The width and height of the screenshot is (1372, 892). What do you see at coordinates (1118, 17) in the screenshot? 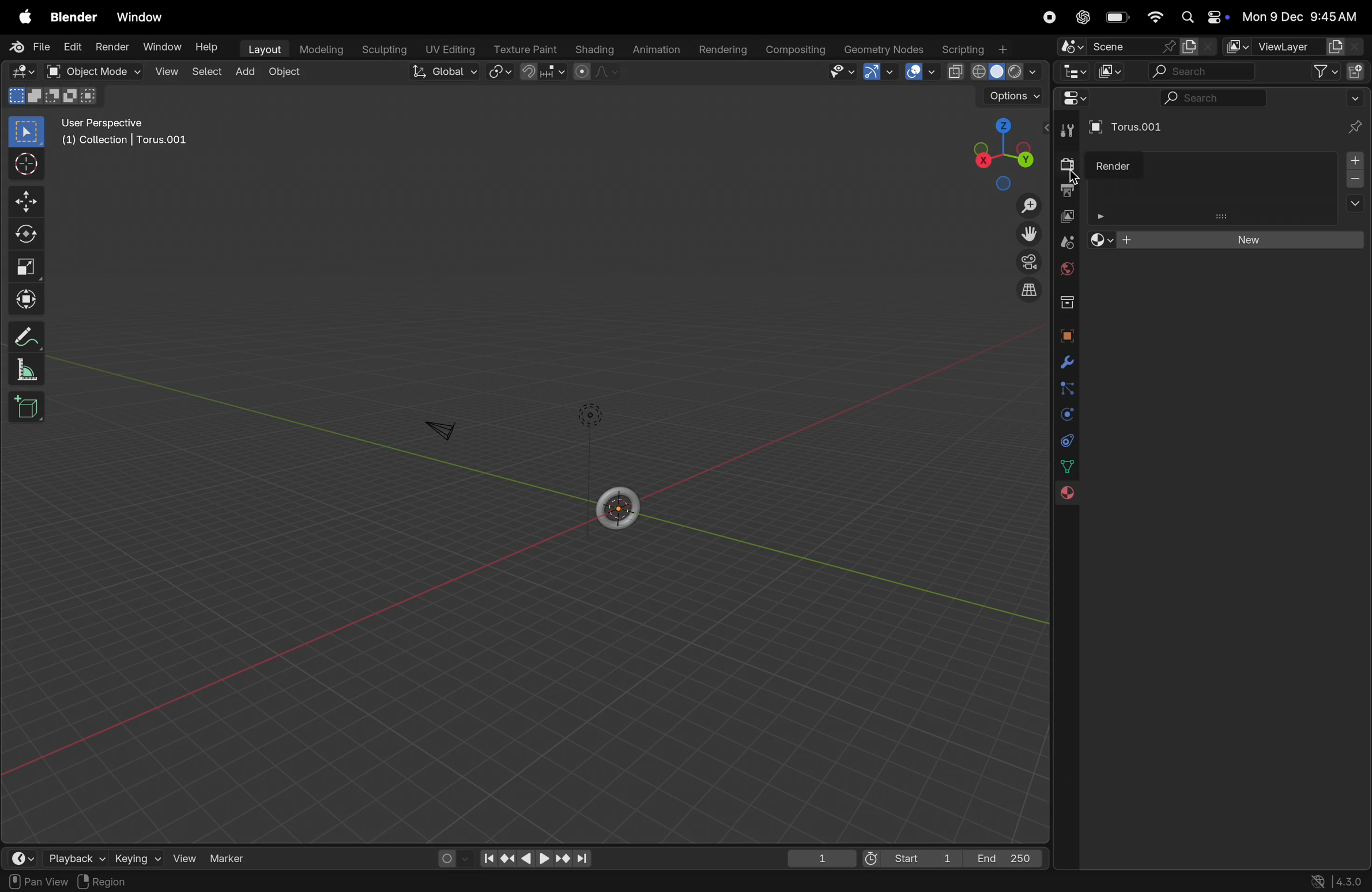
I see `battery` at bounding box center [1118, 17].